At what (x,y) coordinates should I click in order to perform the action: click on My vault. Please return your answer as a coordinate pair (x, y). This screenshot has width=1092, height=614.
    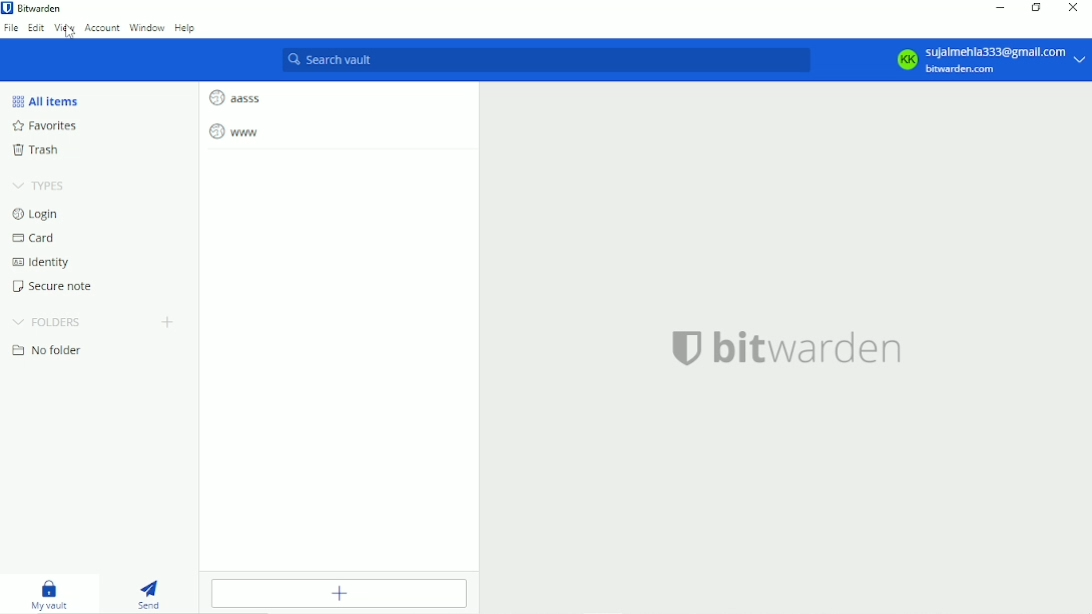
    Looking at the image, I should click on (54, 593).